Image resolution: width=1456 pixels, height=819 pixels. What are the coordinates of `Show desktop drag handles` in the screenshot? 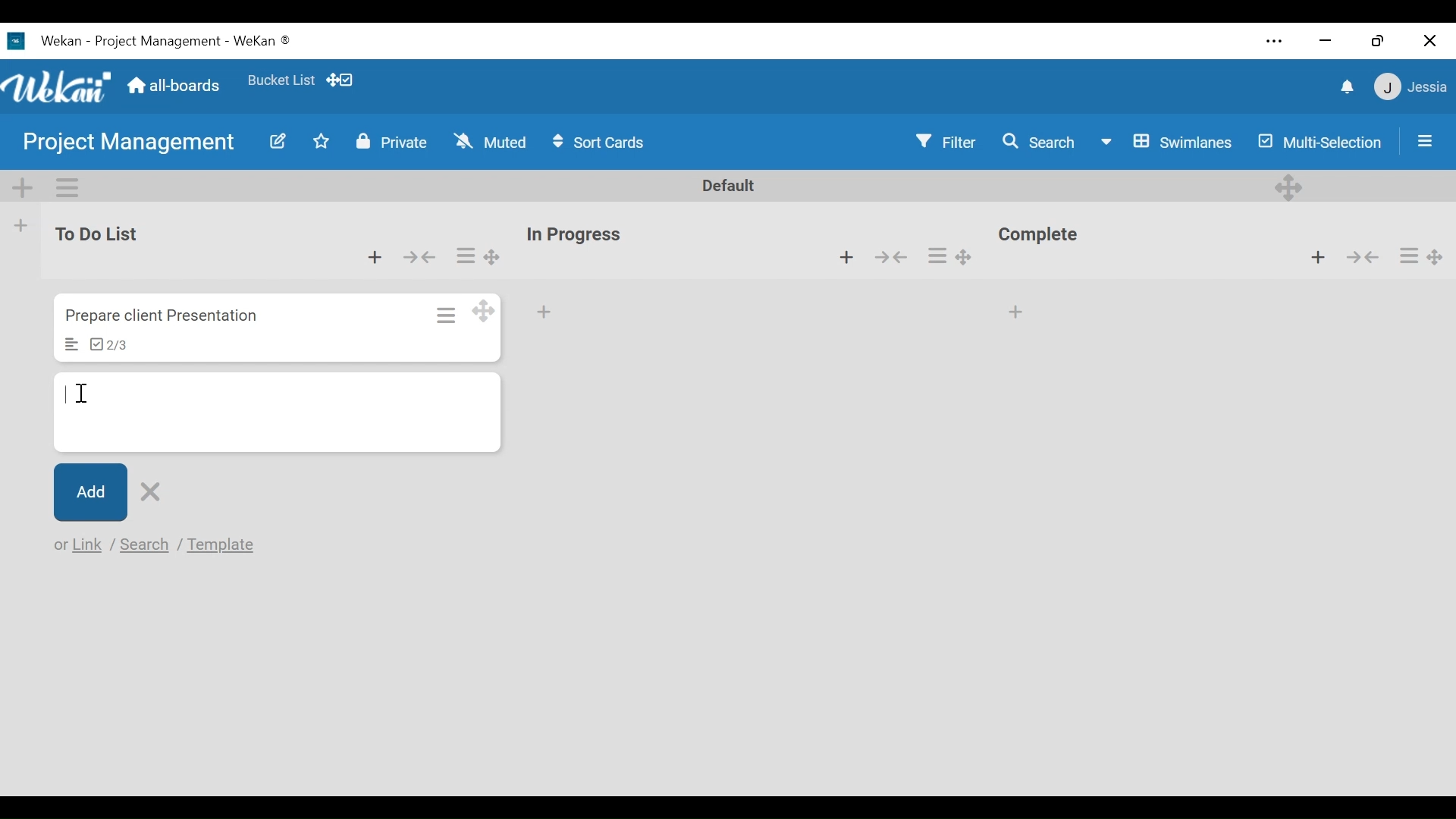 It's located at (342, 80).